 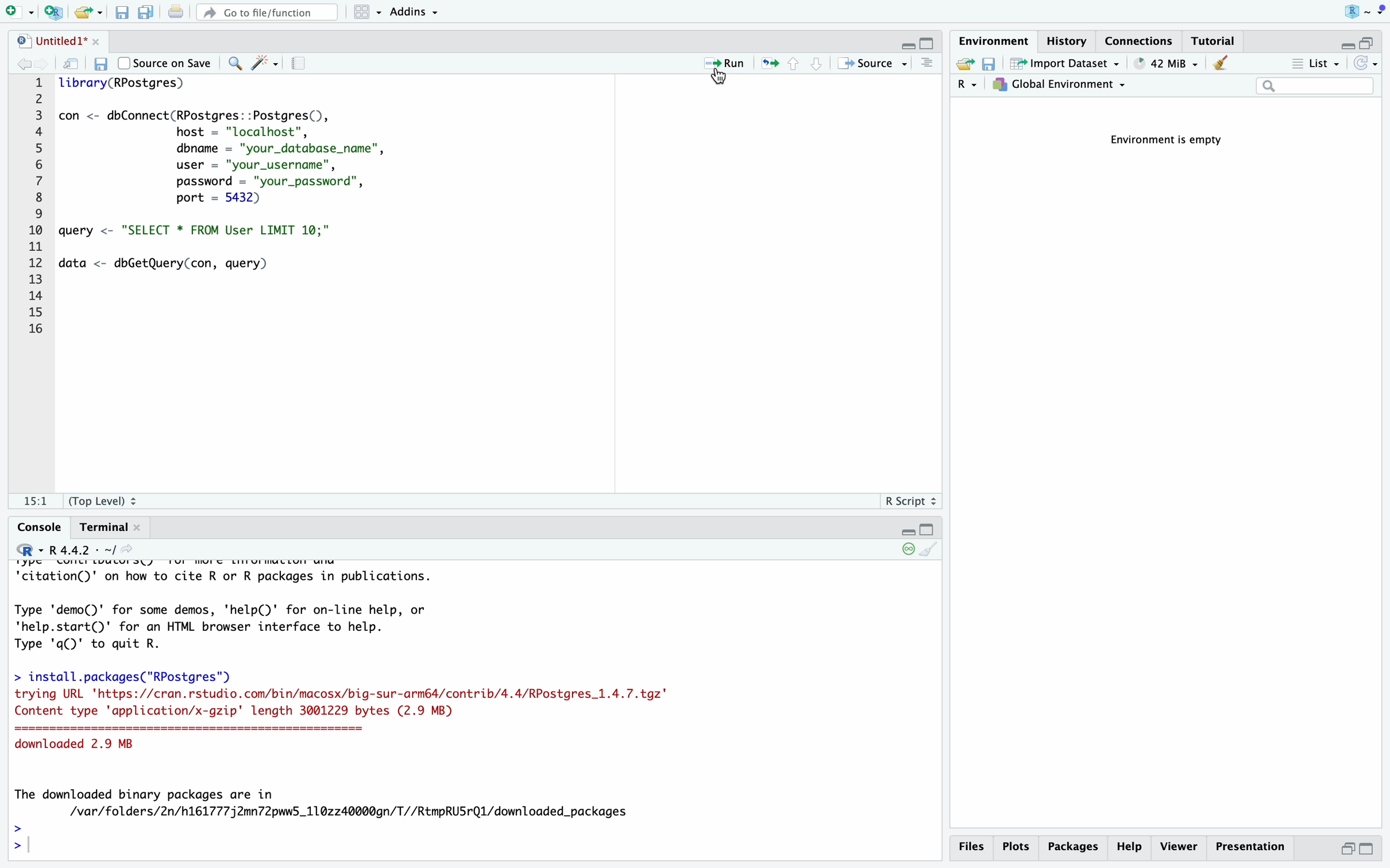 What do you see at coordinates (149, 673) in the screenshot?
I see `> install.packages("RPostgres')` at bounding box center [149, 673].